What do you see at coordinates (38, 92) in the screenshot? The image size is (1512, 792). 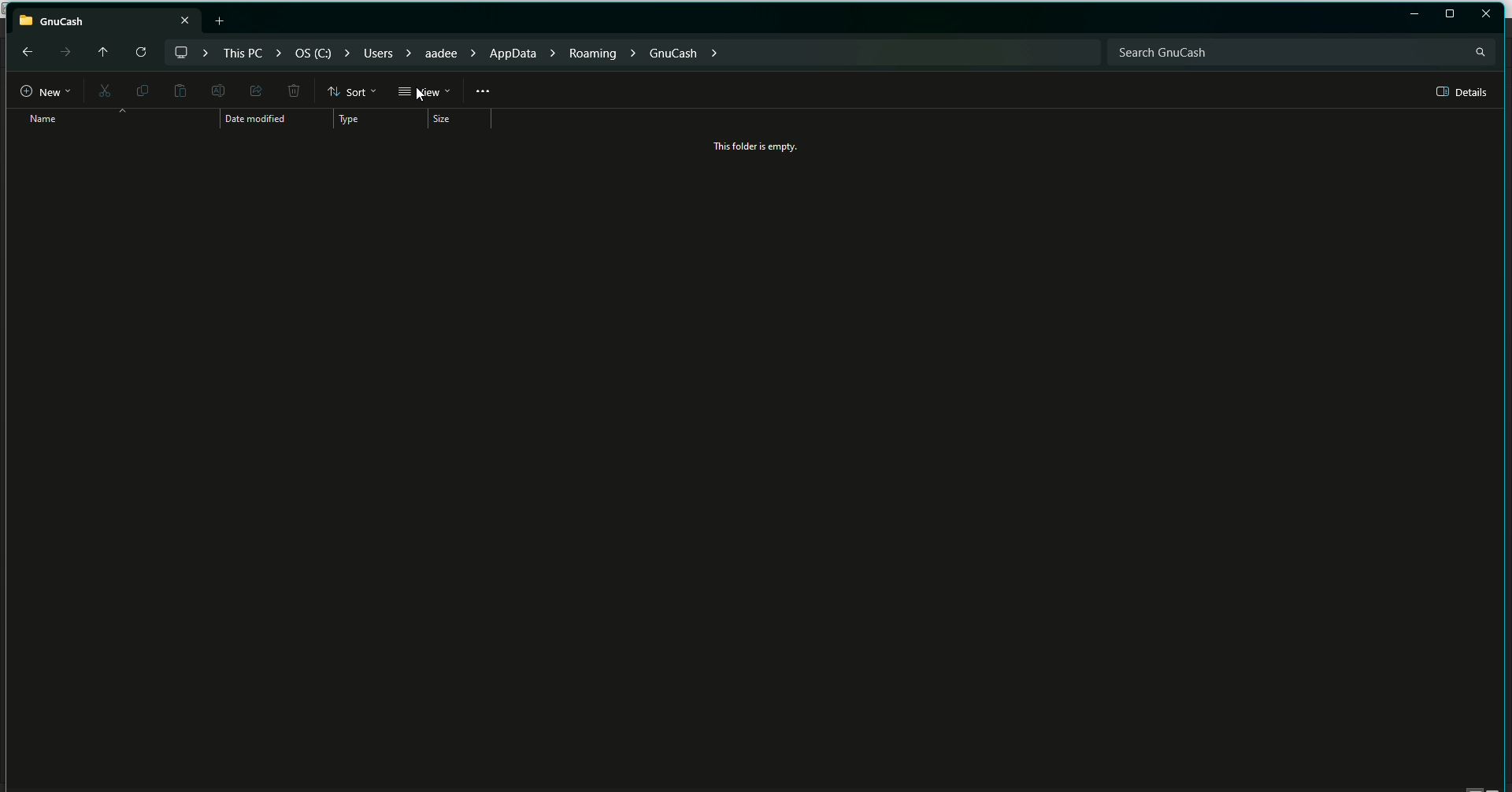 I see `New` at bounding box center [38, 92].